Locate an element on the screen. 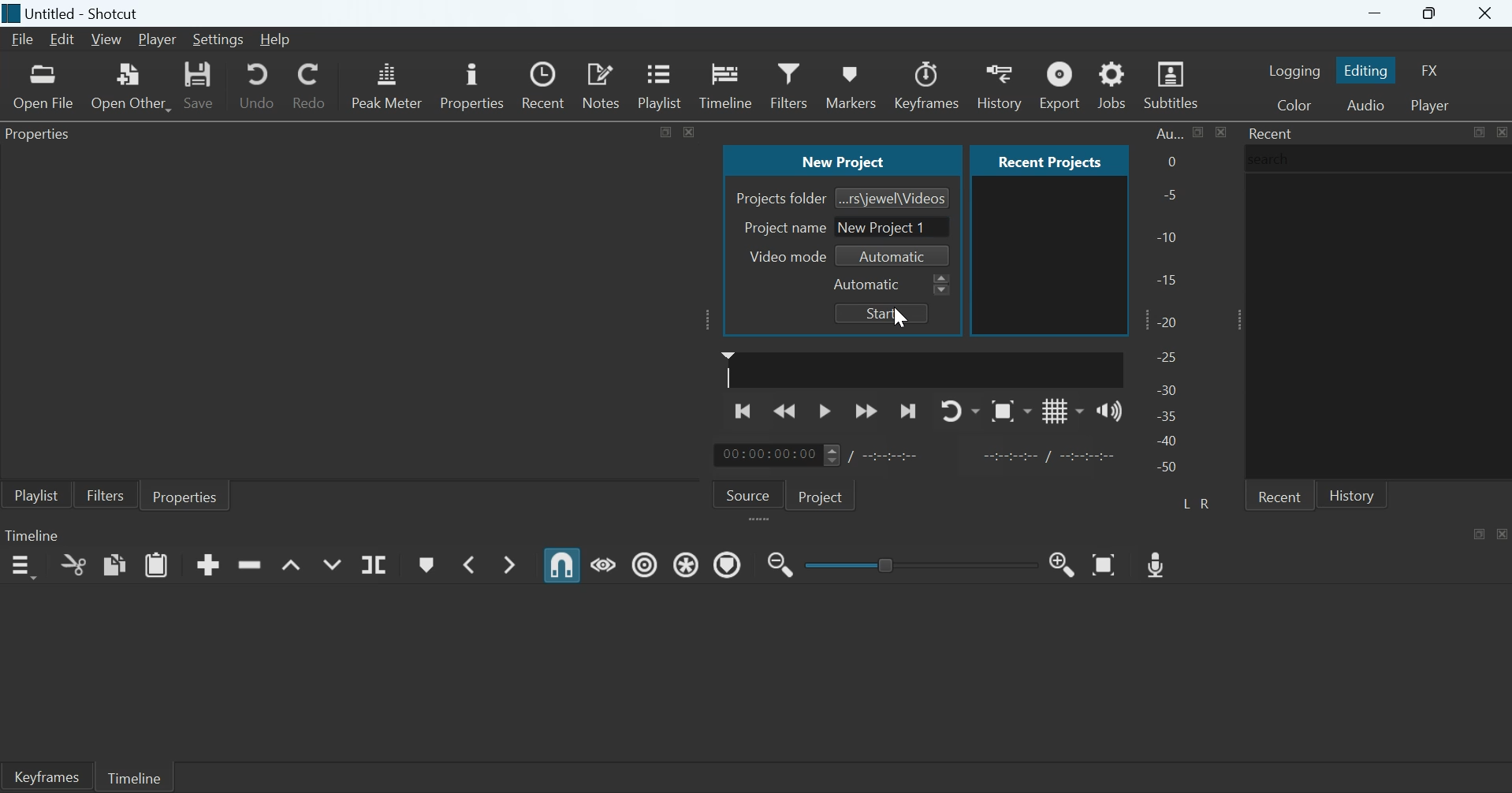  Switch to the Player only layout is located at coordinates (1432, 106).